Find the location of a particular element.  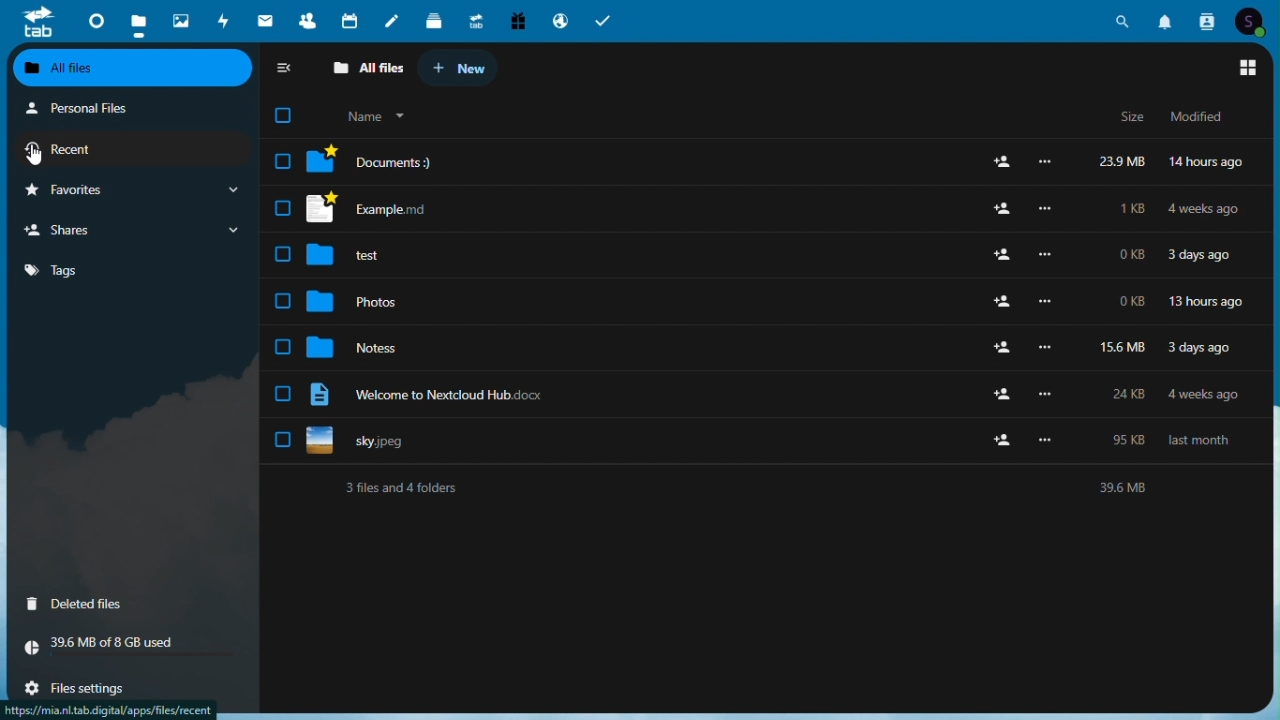

upgrade is located at coordinates (474, 19).